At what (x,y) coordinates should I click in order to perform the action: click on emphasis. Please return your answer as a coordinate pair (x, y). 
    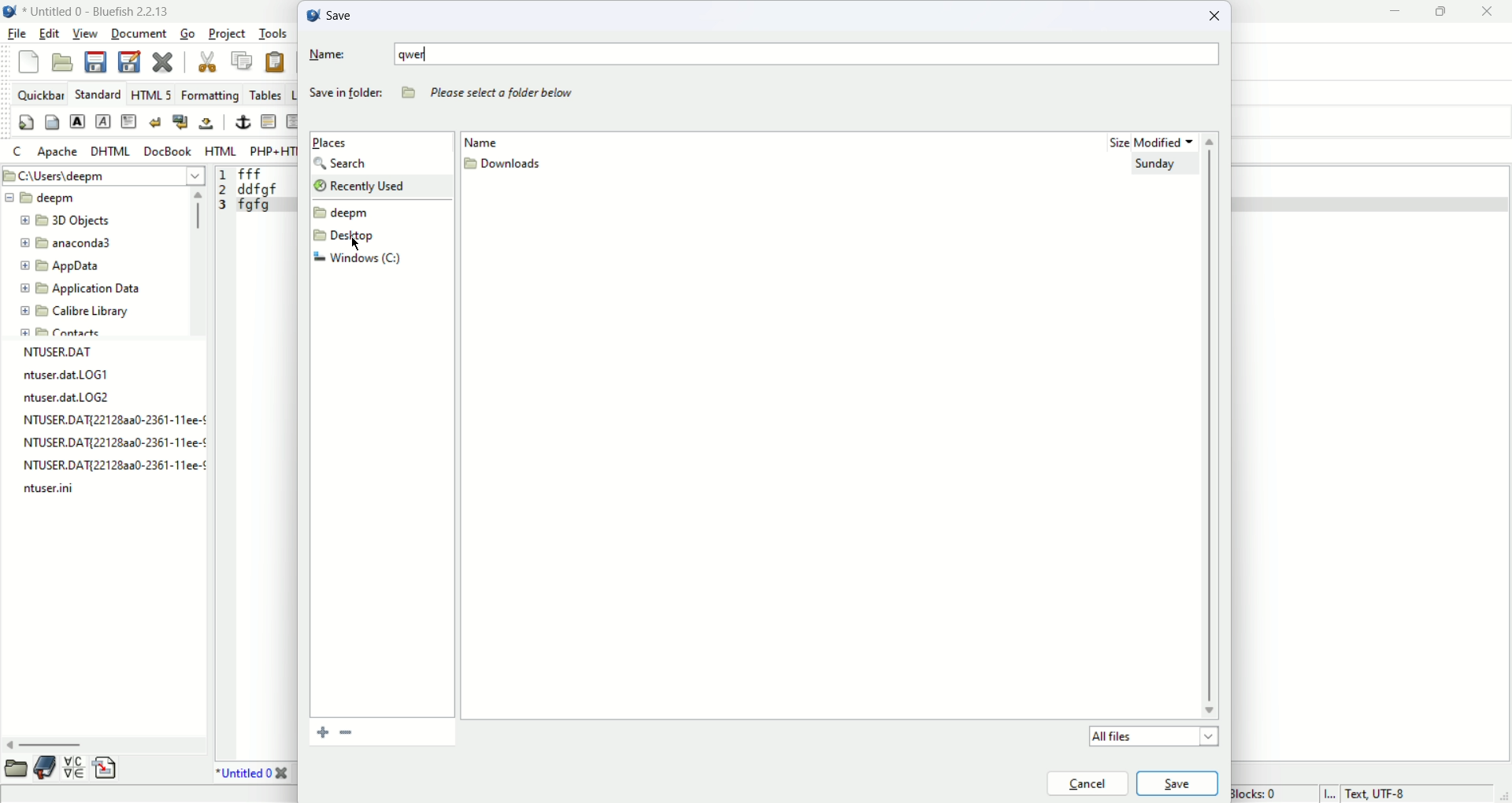
    Looking at the image, I should click on (104, 122).